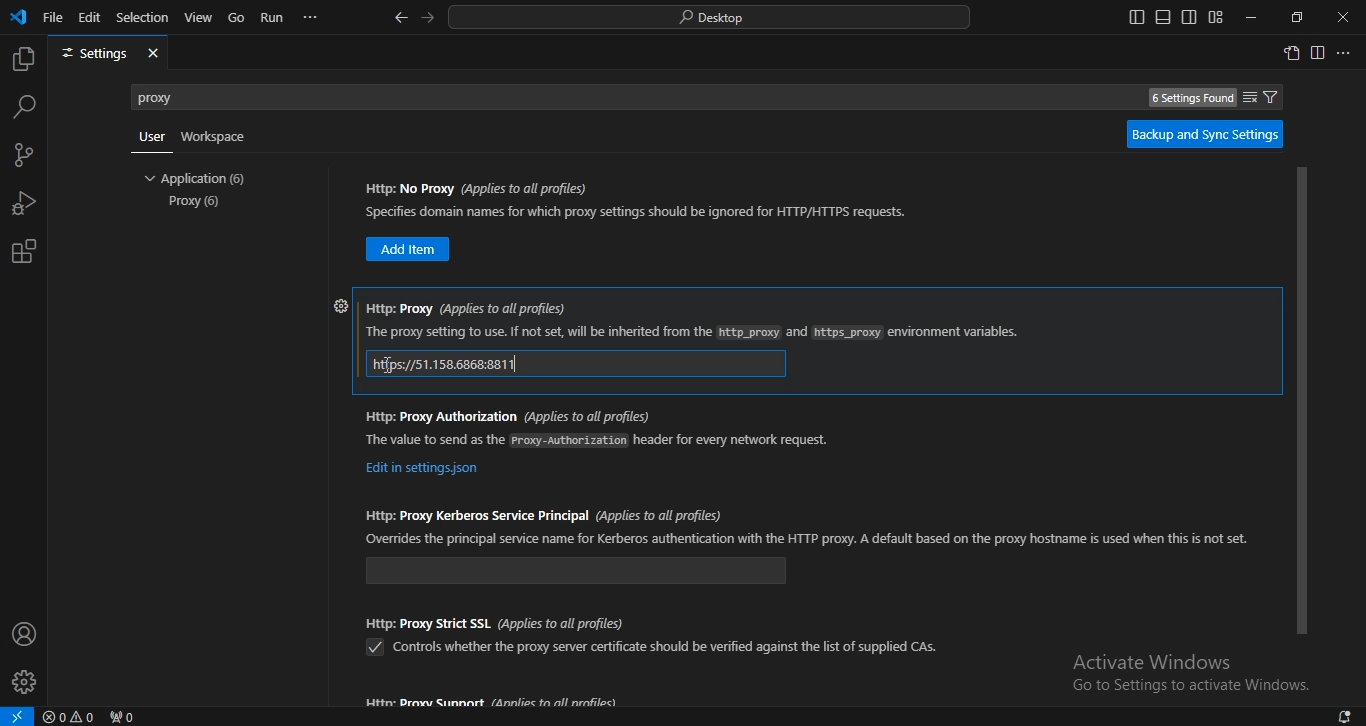 This screenshot has width=1366, height=726. What do you see at coordinates (197, 203) in the screenshot?
I see `proxy` at bounding box center [197, 203].